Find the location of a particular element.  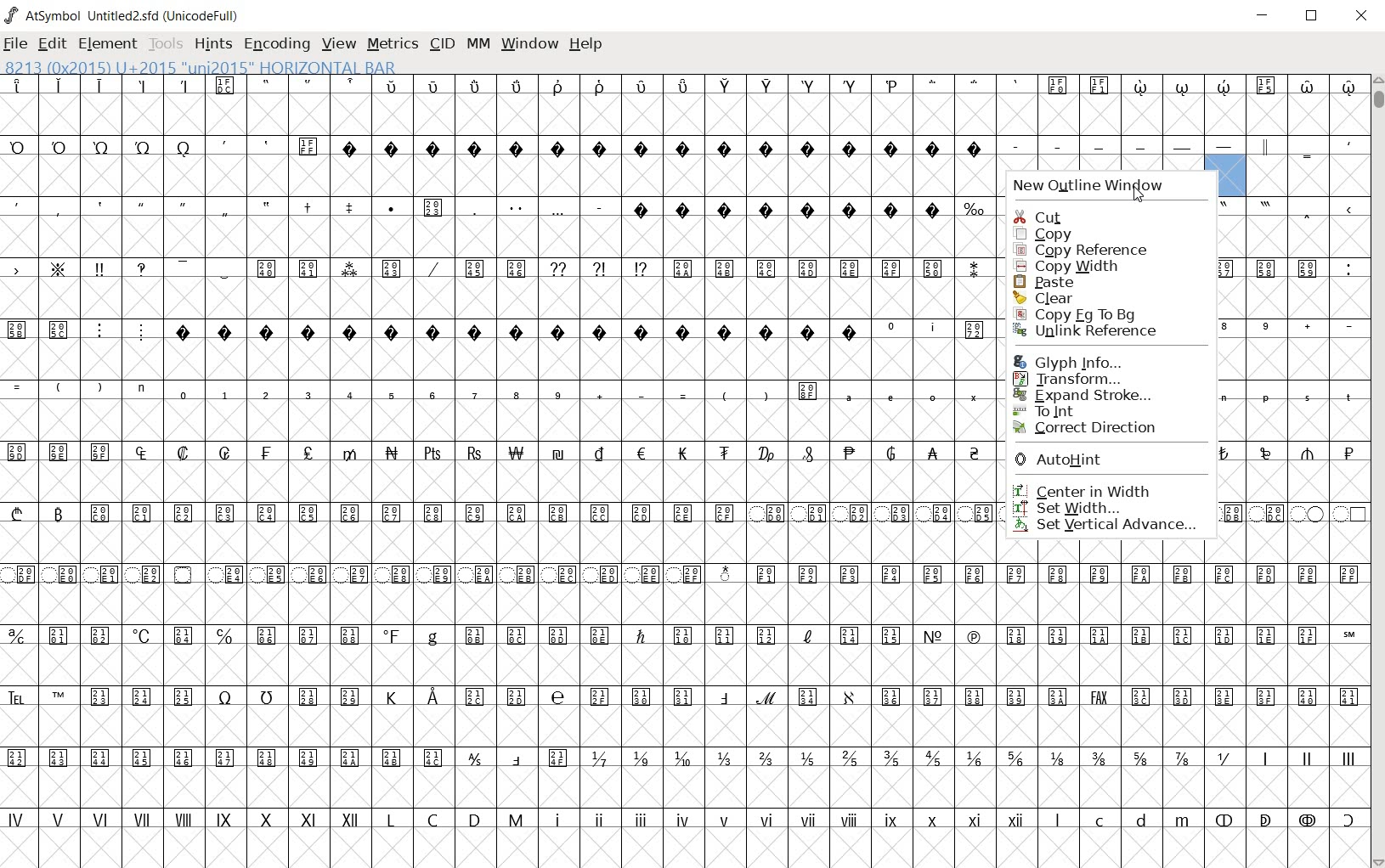

new outline window is located at coordinates (1100, 189).